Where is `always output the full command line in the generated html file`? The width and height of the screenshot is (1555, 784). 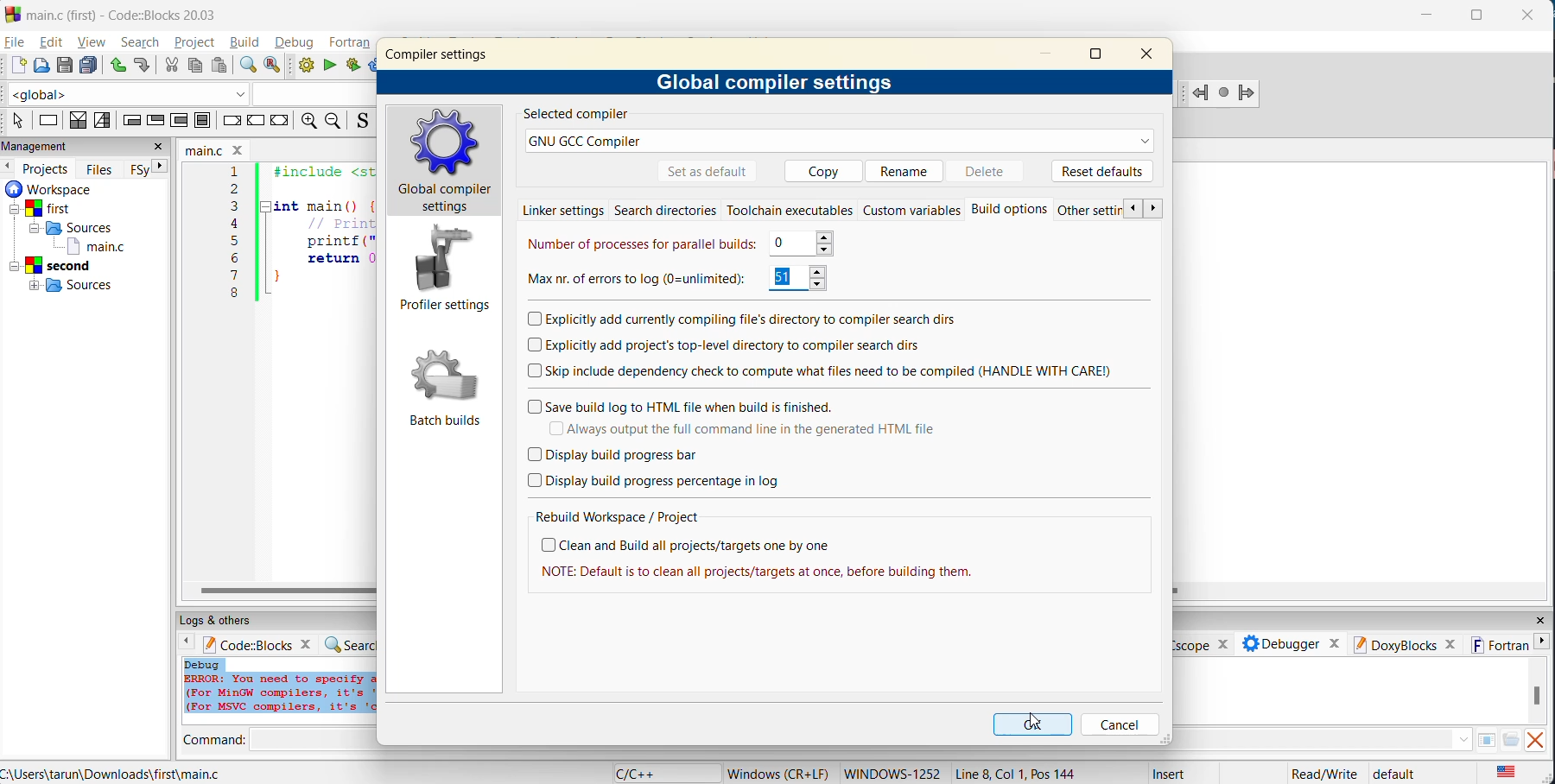
always output the full command line in the generated html file is located at coordinates (742, 429).